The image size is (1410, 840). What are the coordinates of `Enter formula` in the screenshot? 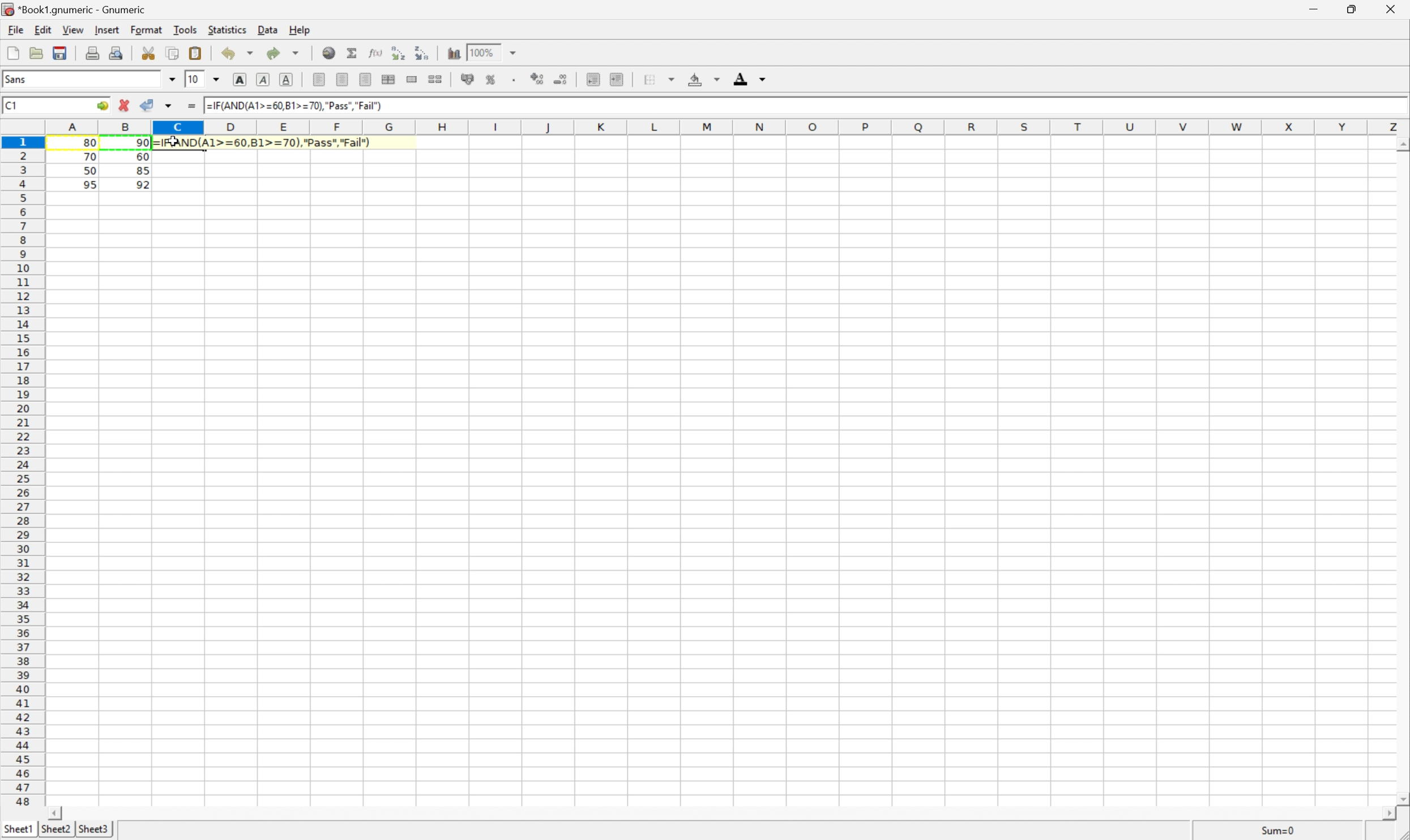 It's located at (191, 106).